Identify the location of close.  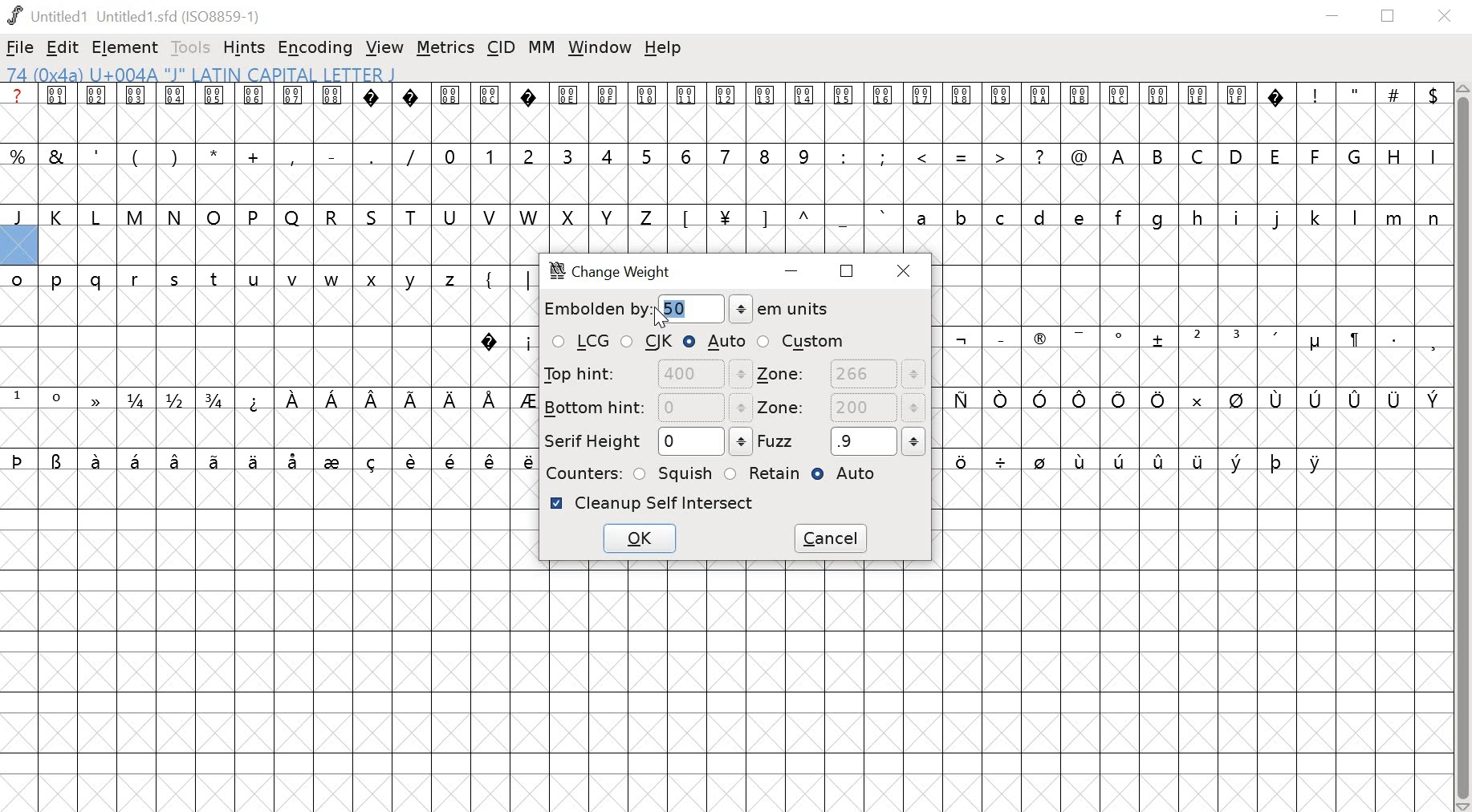
(907, 270).